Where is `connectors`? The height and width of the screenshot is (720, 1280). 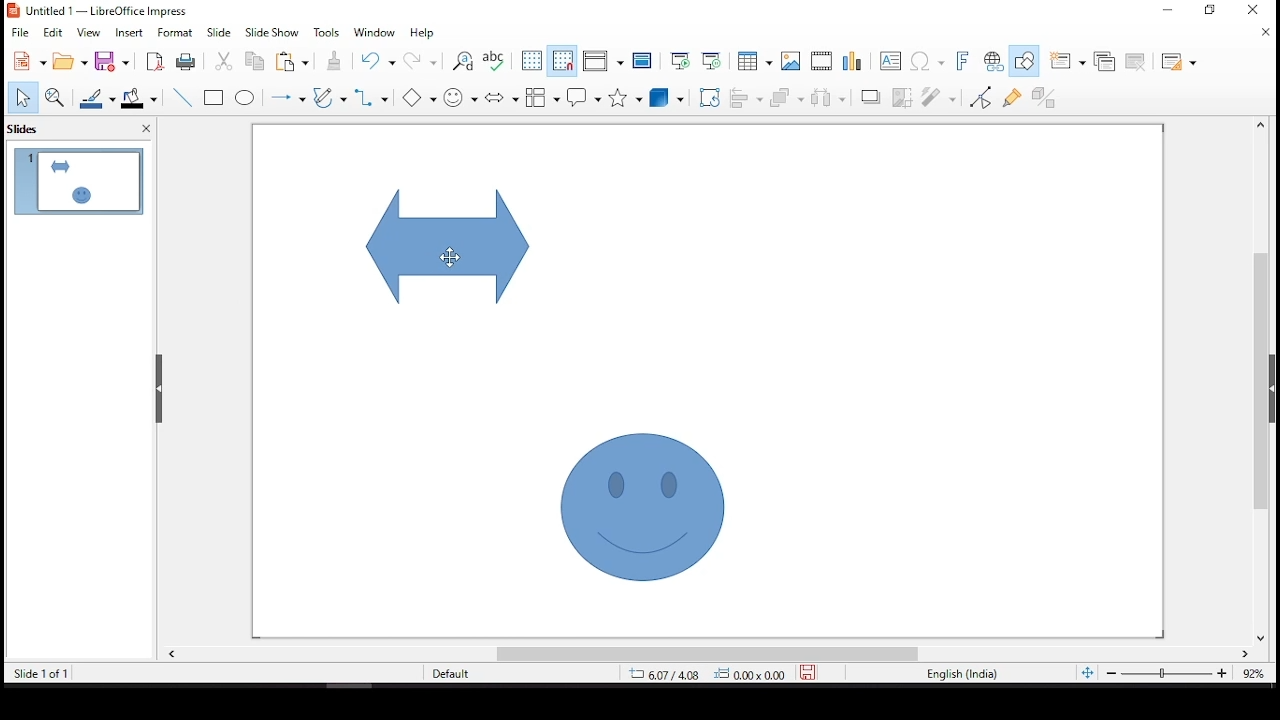 connectors is located at coordinates (371, 99).